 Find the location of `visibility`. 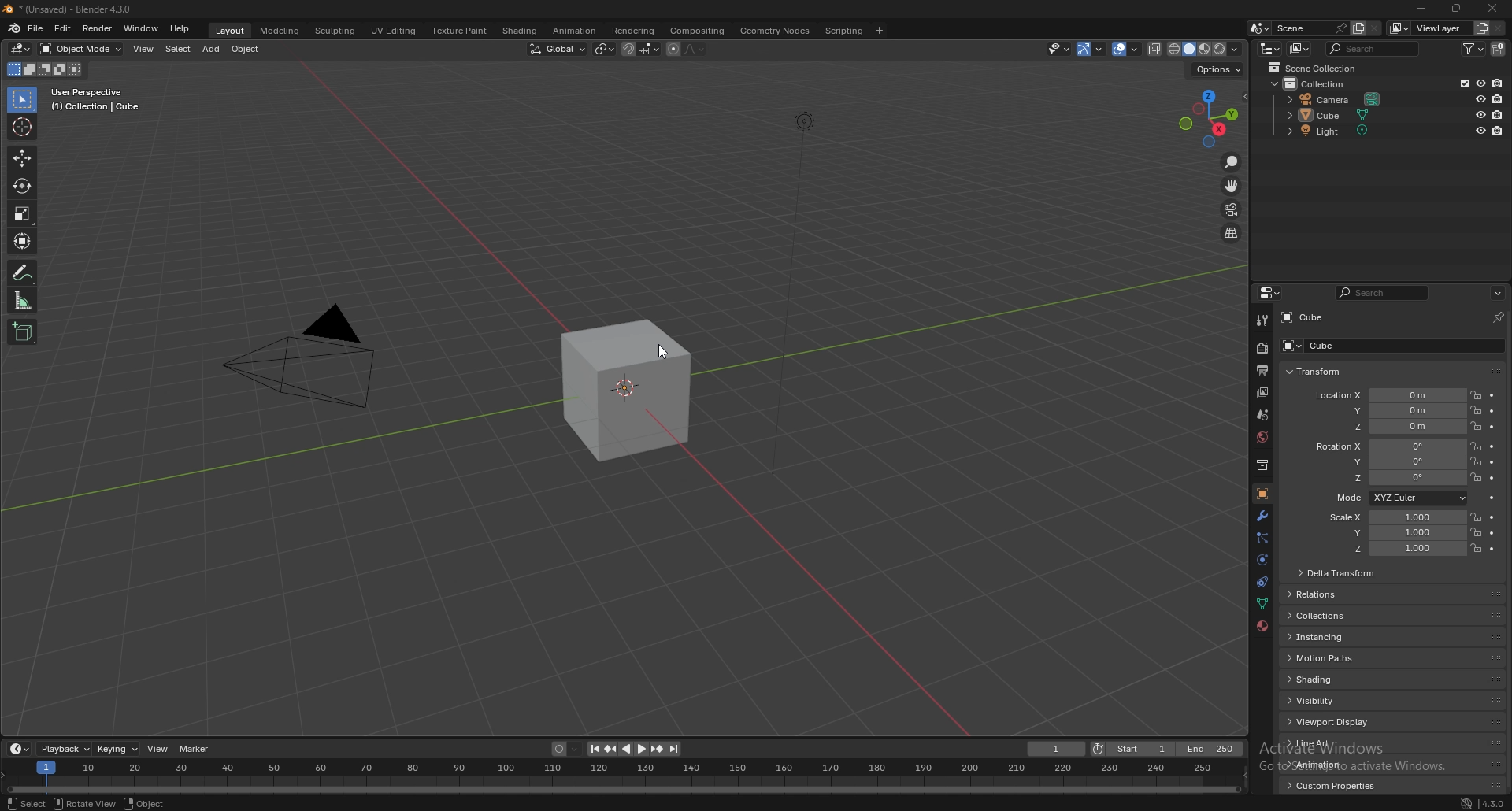

visibility is located at coordinates (1317, 700).